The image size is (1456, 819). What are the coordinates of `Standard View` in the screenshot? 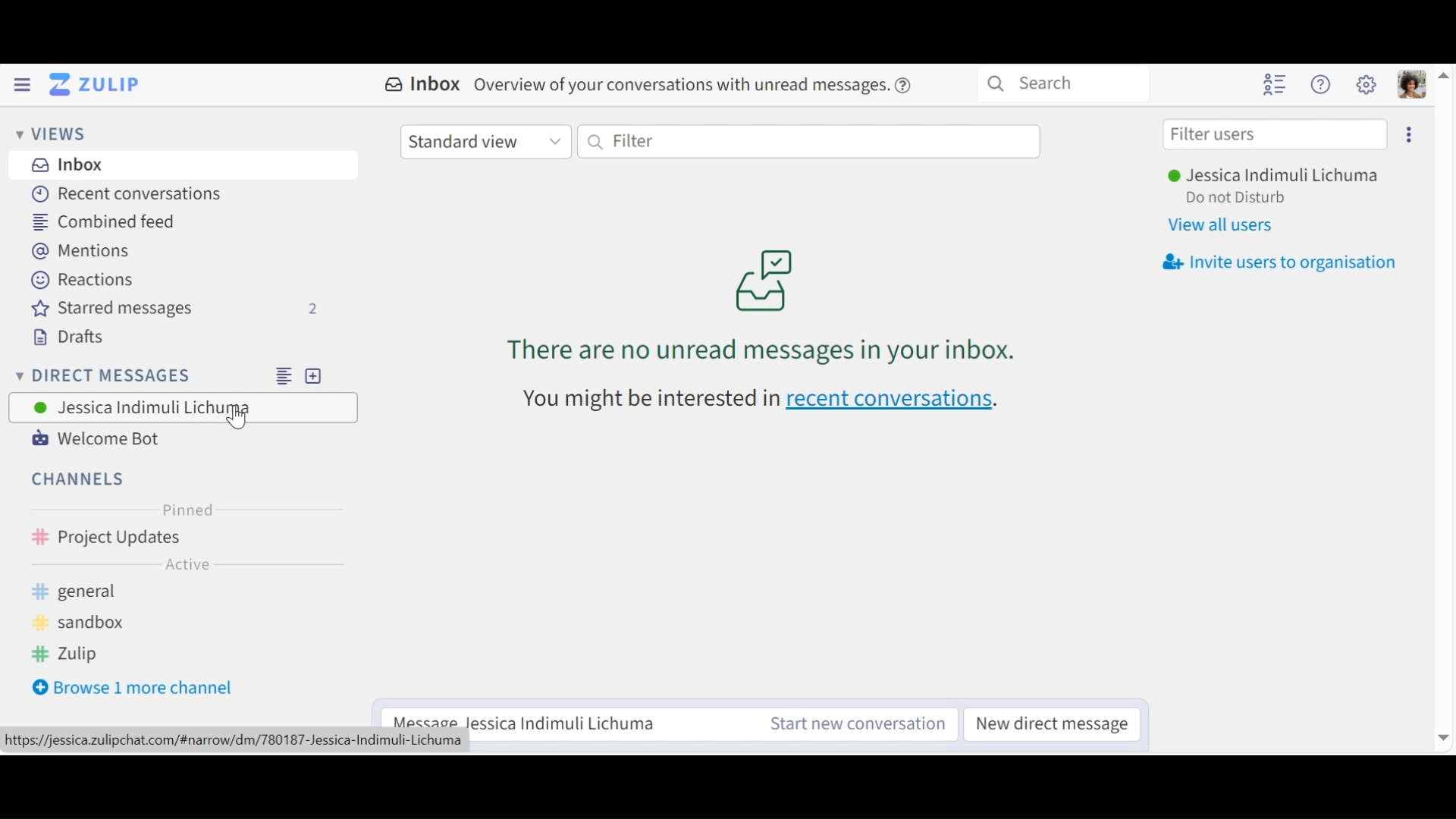 It's located at (485, 141).